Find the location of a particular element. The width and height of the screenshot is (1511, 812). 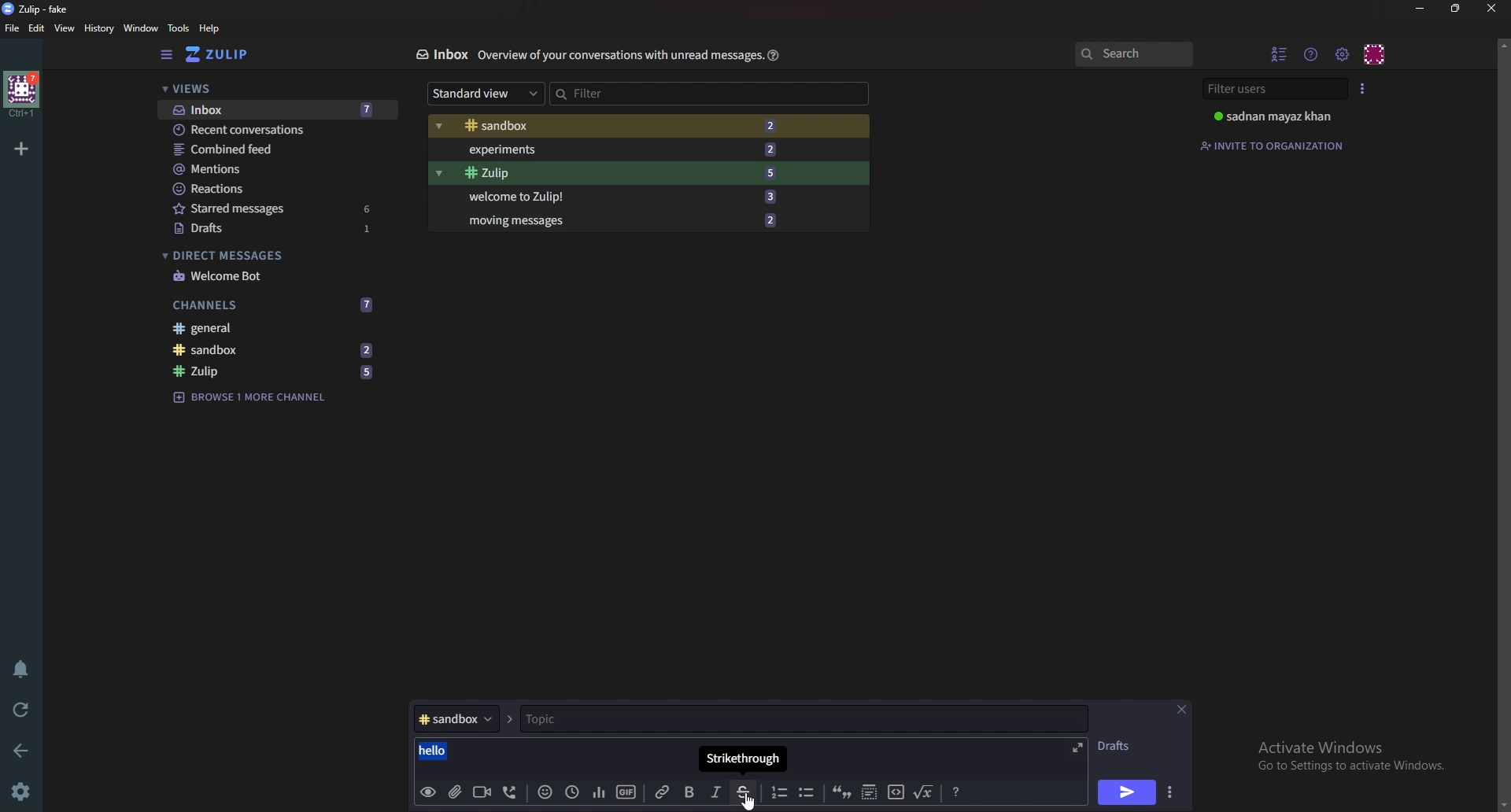

Filter is located at coordinates (628, 93).